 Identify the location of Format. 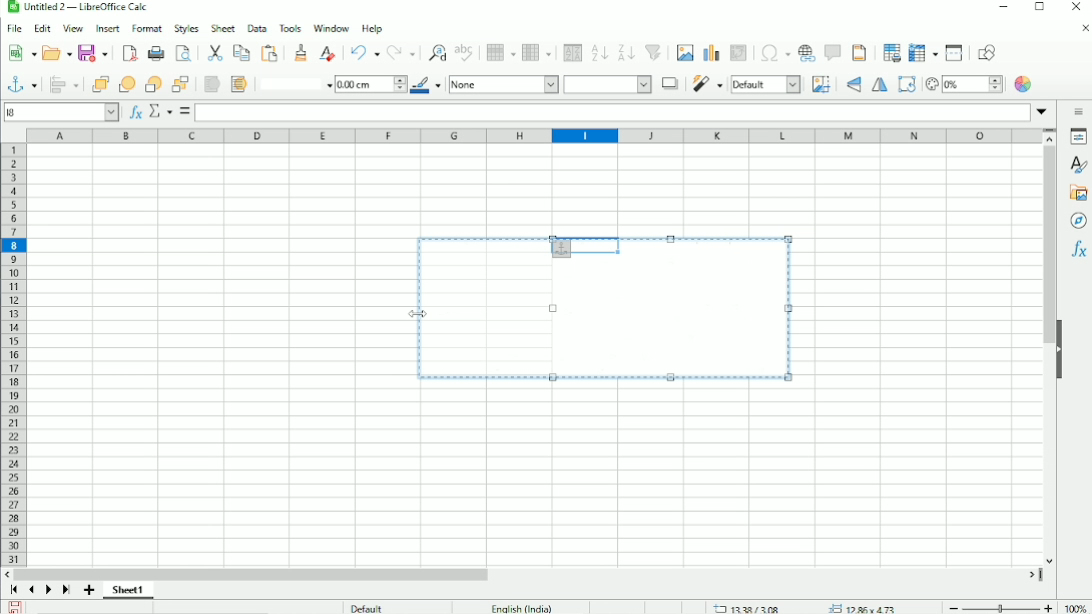
(148, 29).